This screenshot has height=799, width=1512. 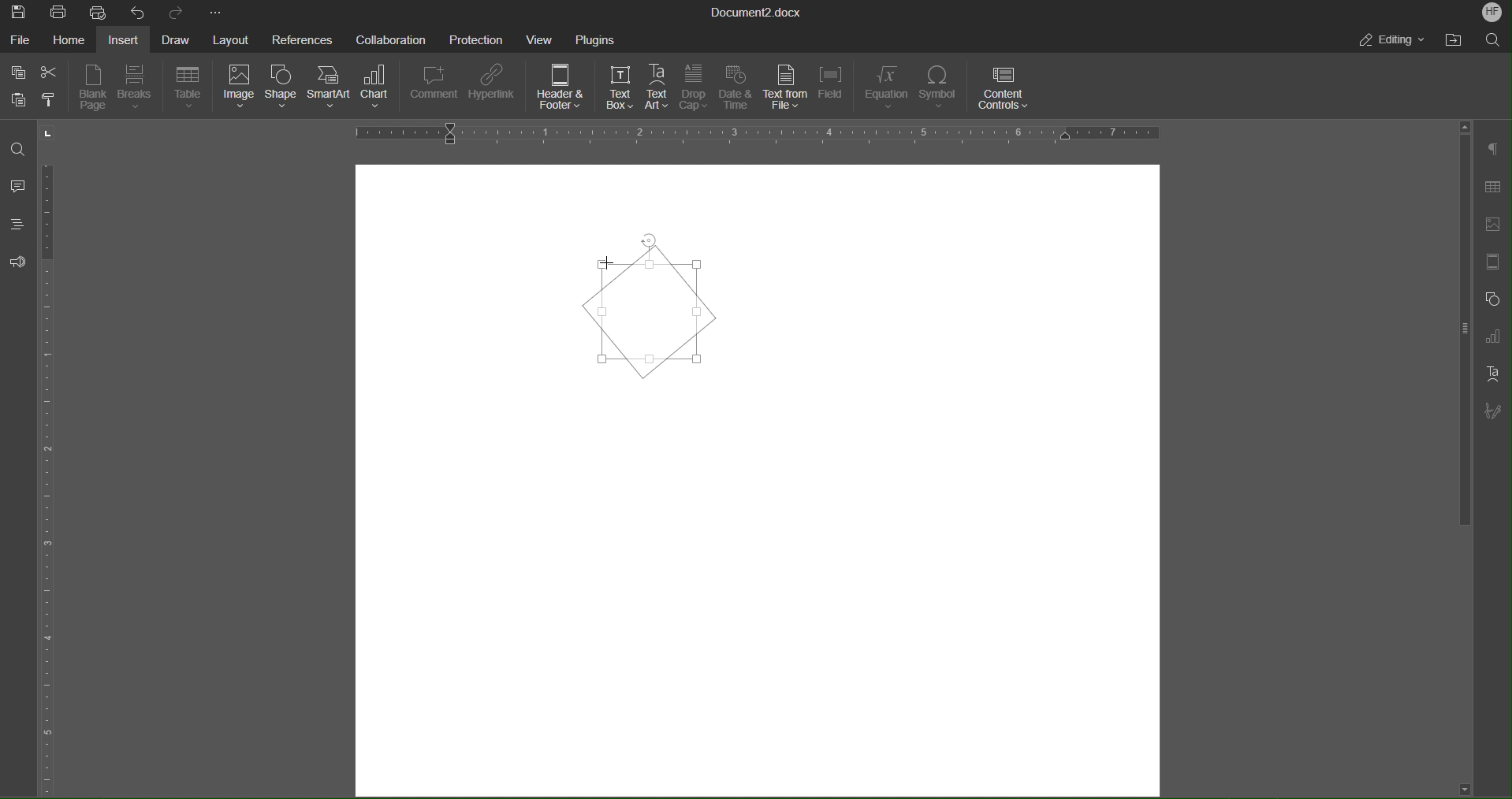 I want to click on Shape, so click(x=283, y=90).